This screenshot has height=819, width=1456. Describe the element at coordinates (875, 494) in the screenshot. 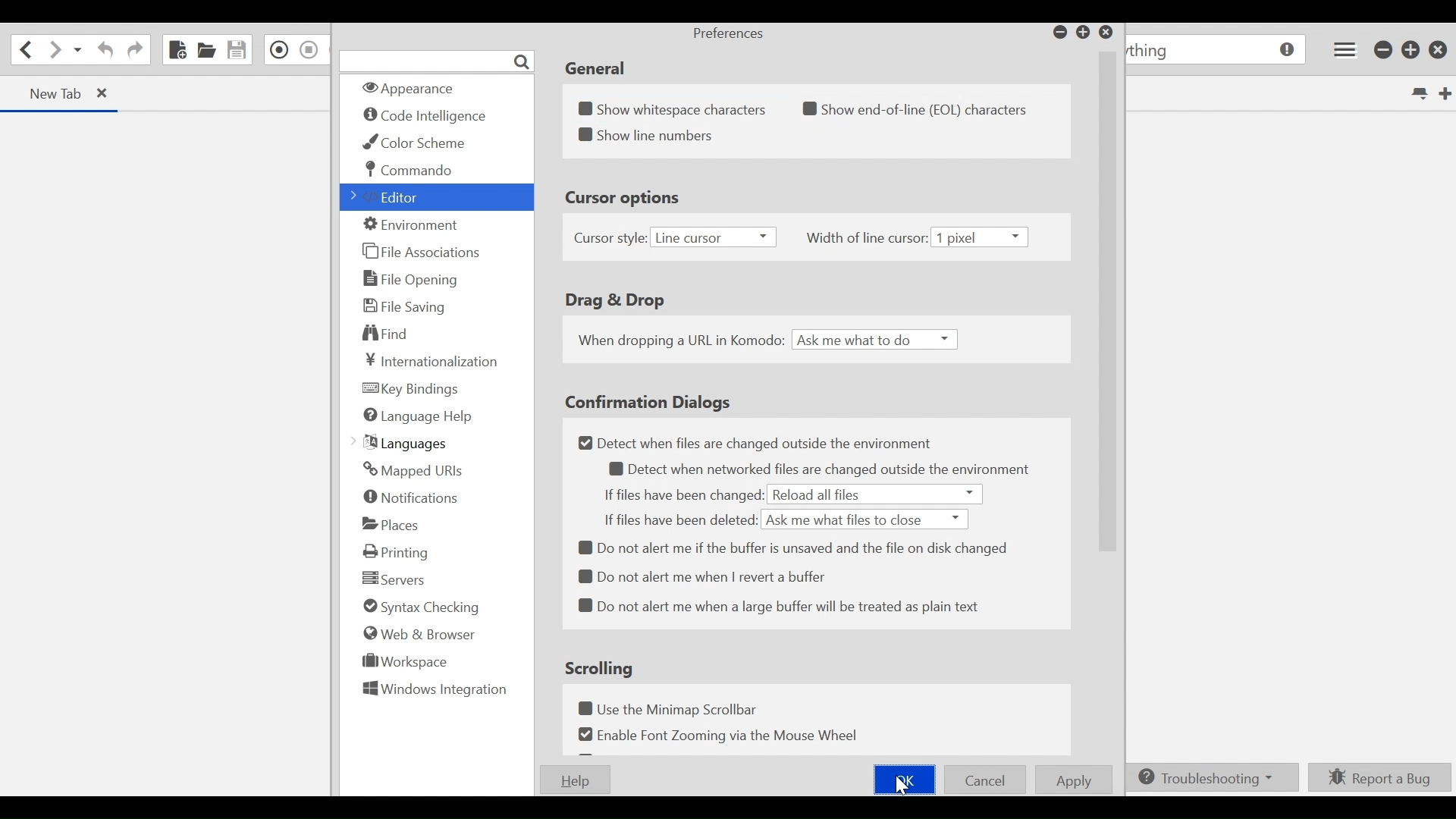

I see `reload all files` at that location.